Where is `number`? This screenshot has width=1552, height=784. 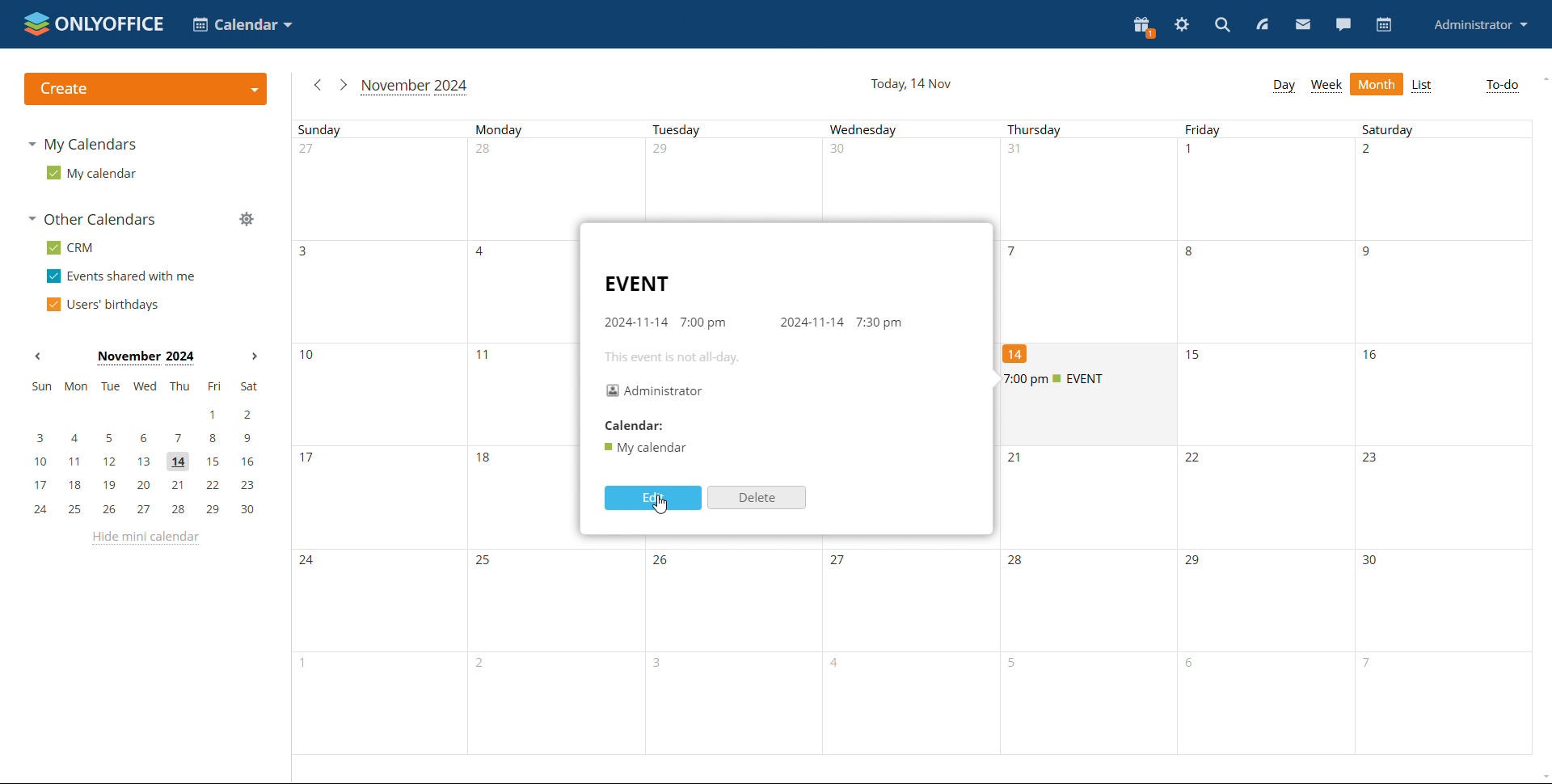
number is located at coordinates (664, 563).